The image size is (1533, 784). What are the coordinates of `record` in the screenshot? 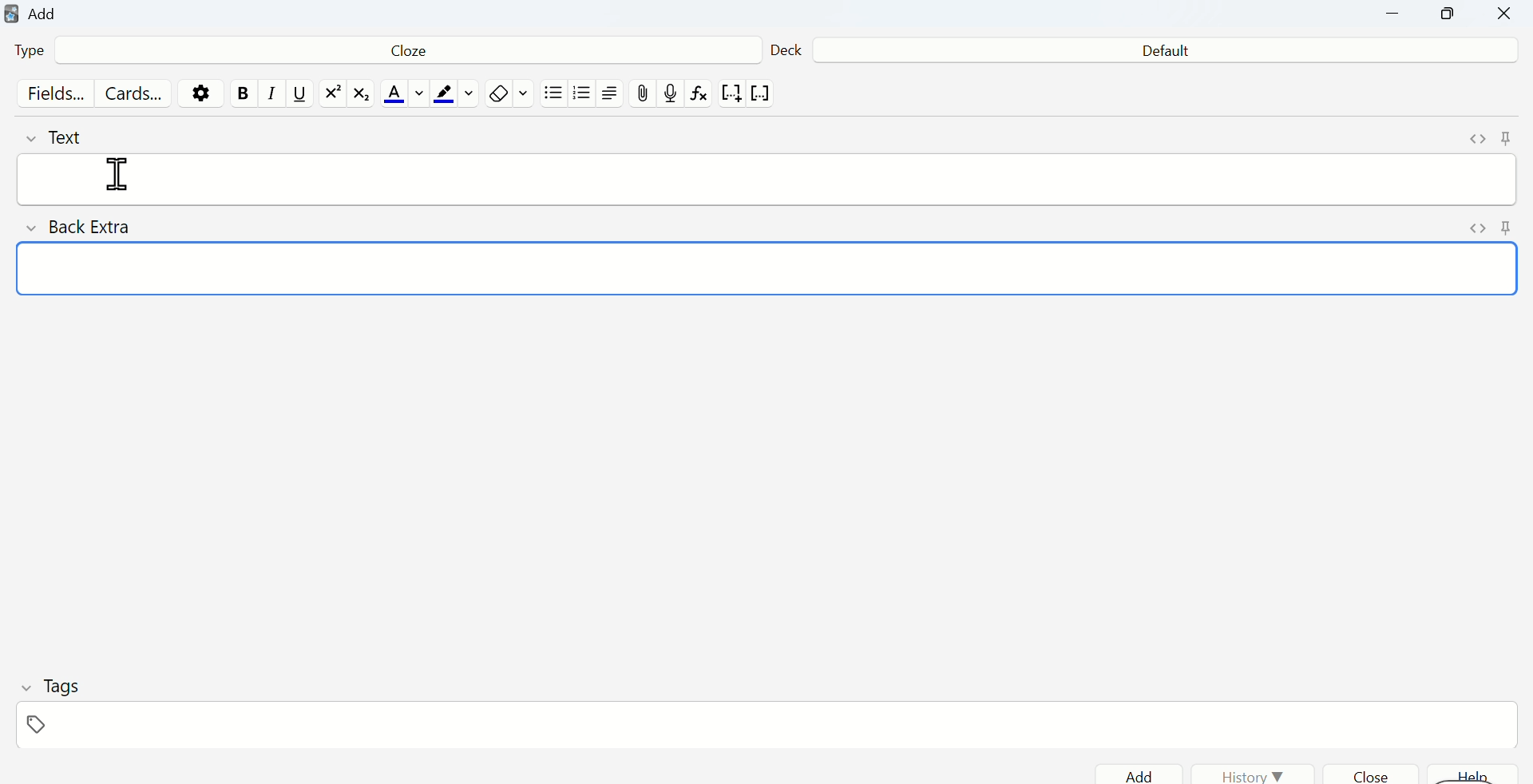 It's located at (671, 94).